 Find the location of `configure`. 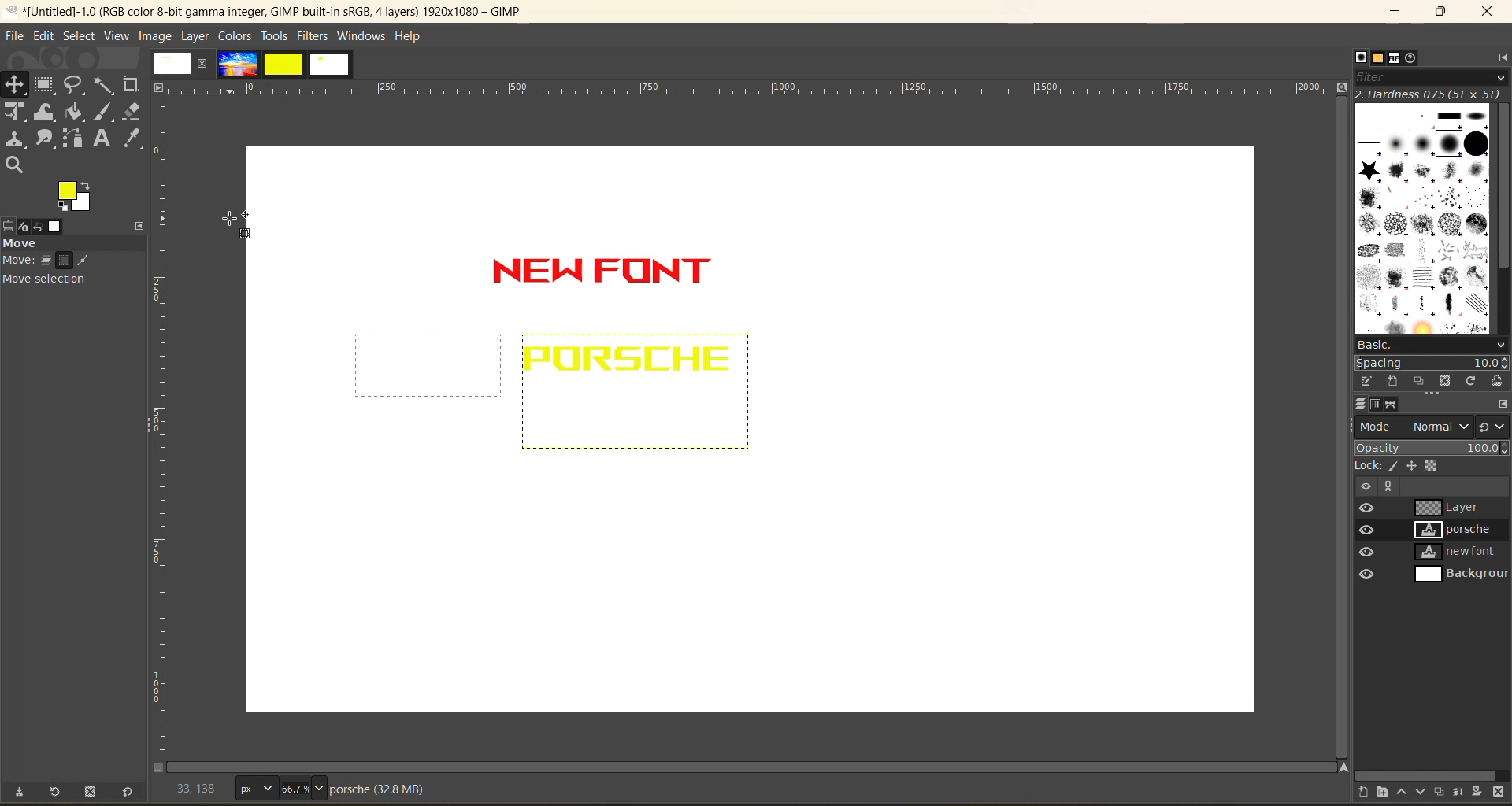

configure is located at coordinates (1503, 57).